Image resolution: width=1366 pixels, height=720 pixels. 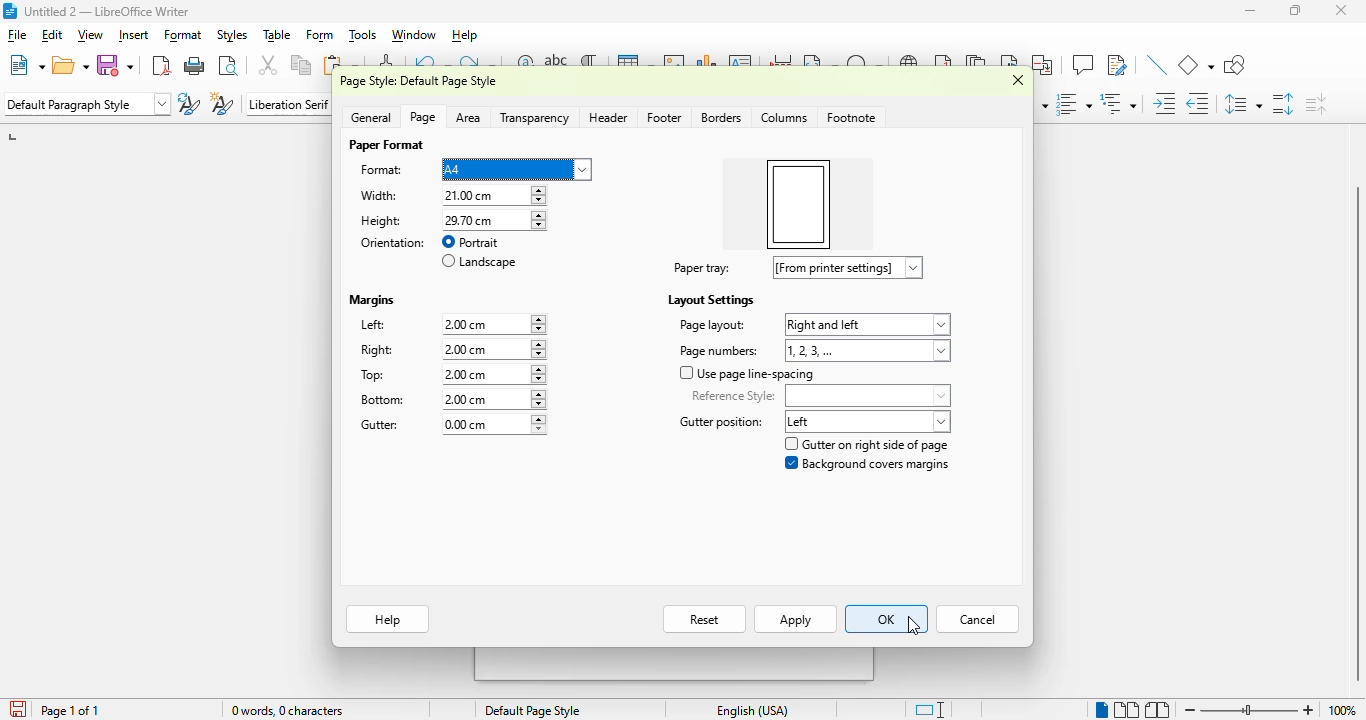 What do you see at coordinates (792, 268) in the screenshot?
I see `paper tray: [from printer settings]` at bounding box center [792, 268].